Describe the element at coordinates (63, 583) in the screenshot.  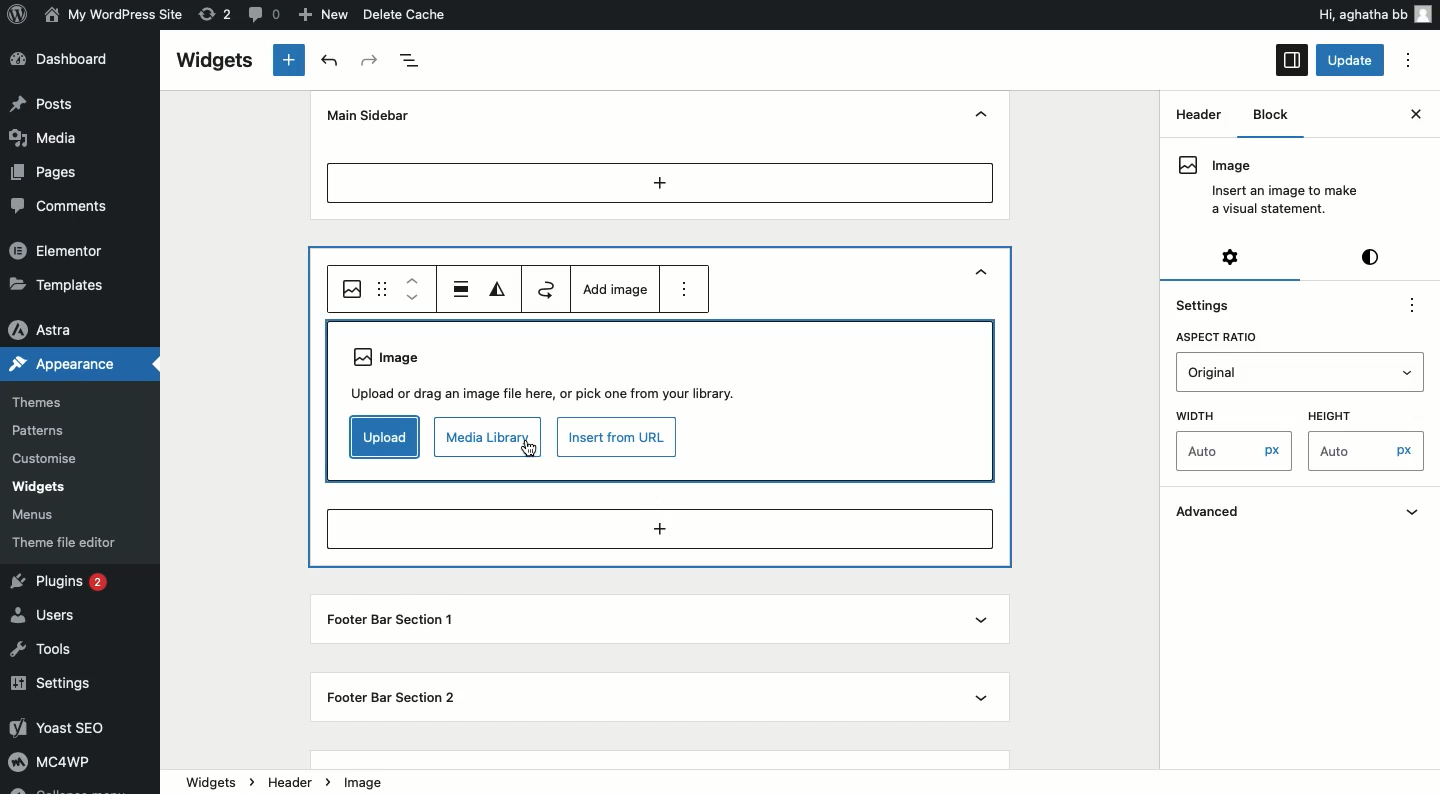
I see `Plugins` at that location.